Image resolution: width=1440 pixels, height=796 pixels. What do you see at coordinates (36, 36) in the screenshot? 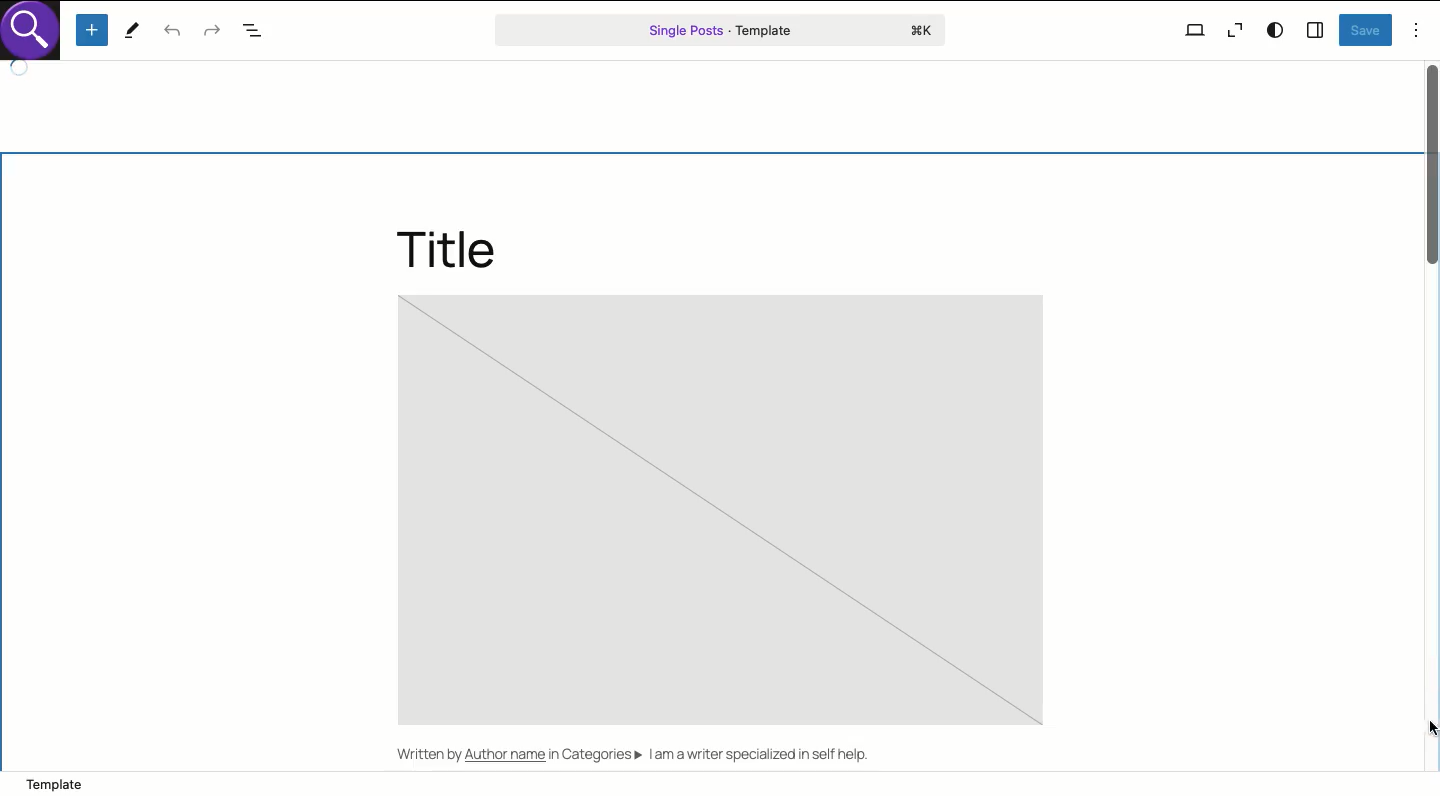
I see `logo` at bounding box center [36, 36].